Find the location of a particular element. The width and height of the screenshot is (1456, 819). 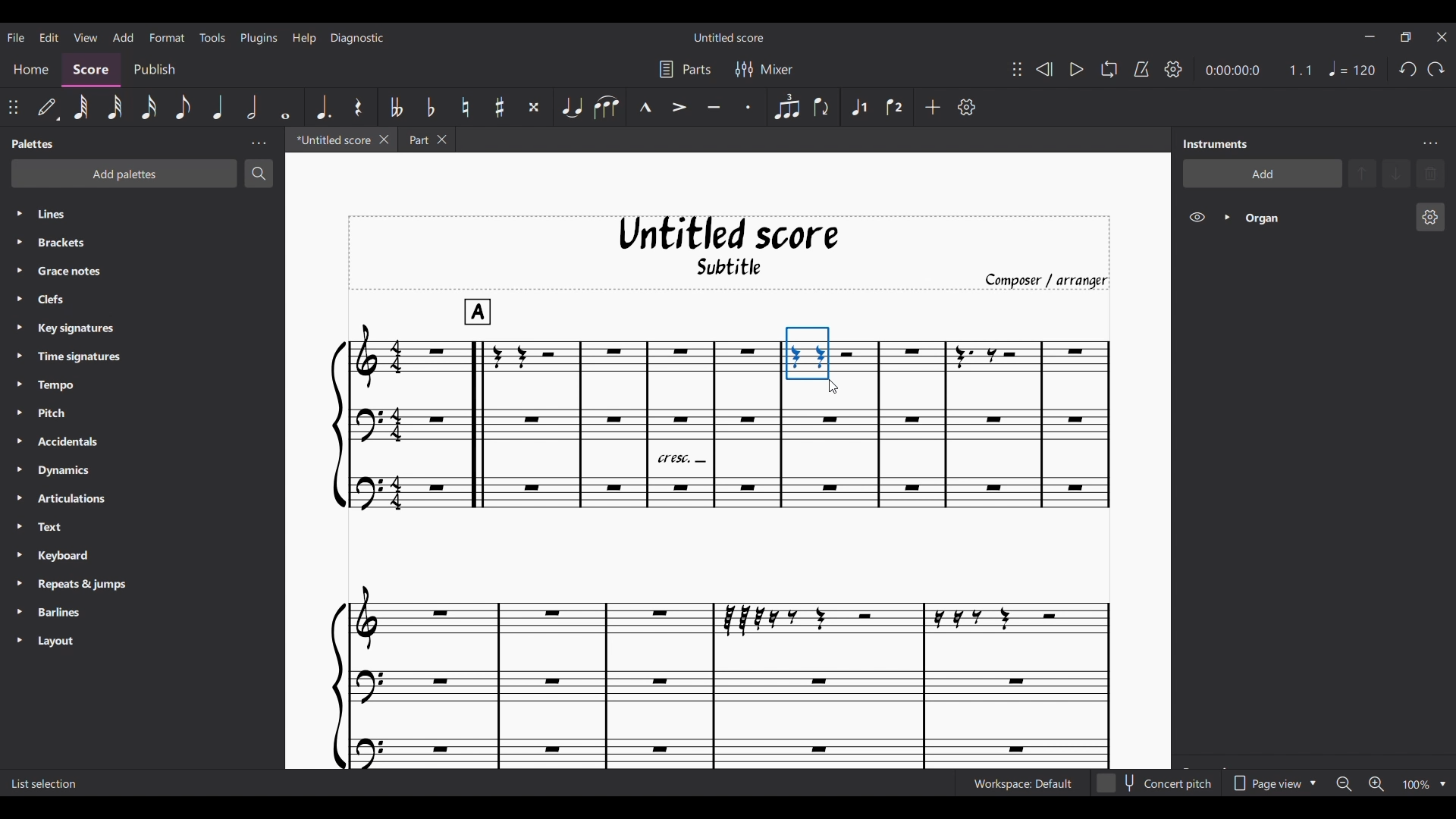

Zoom out is located at coordinates (1345, 784).